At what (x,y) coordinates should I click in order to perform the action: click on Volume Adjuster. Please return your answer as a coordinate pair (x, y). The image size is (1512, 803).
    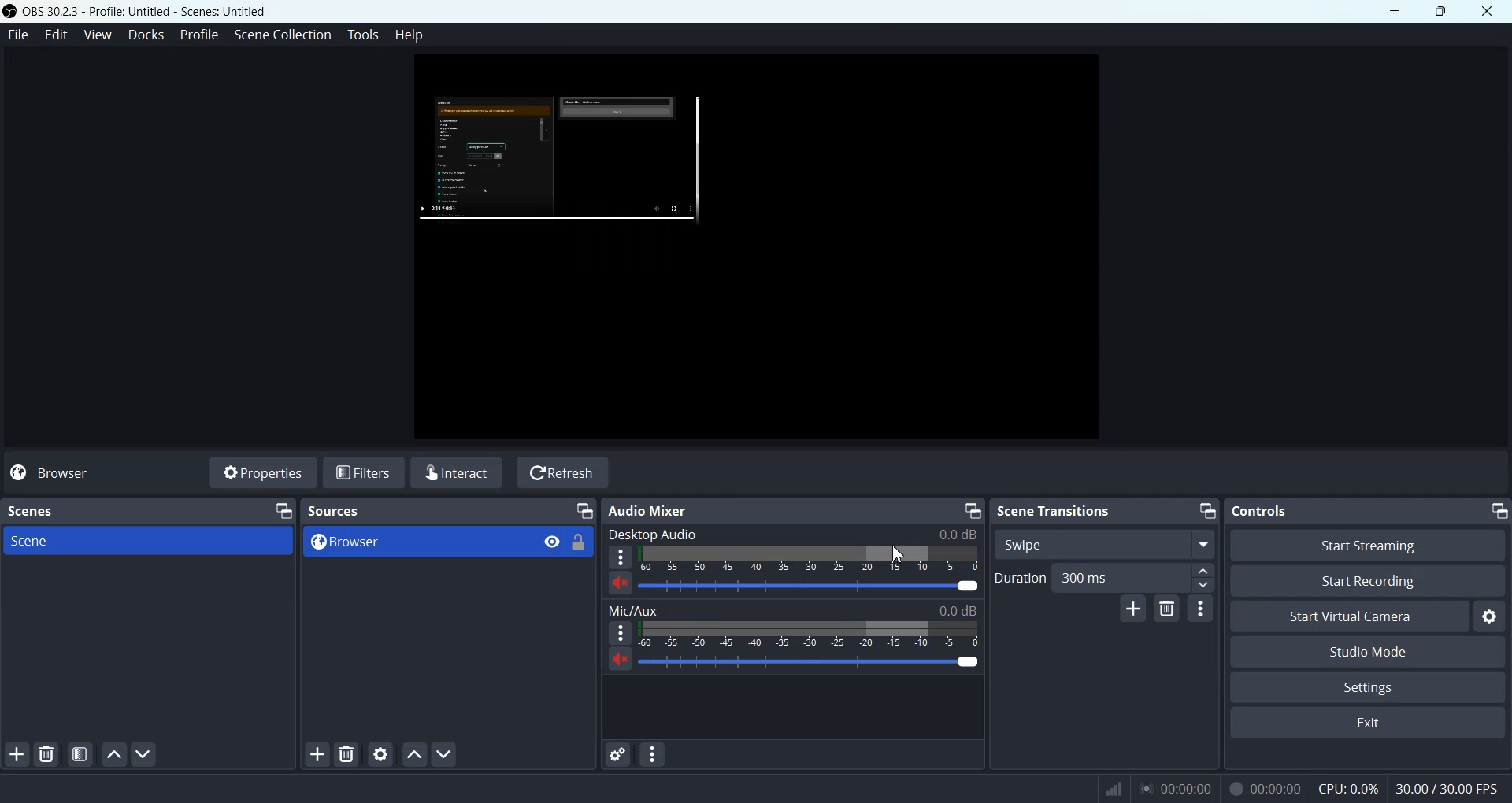
    Looking at the image, I should click on (810, 661).